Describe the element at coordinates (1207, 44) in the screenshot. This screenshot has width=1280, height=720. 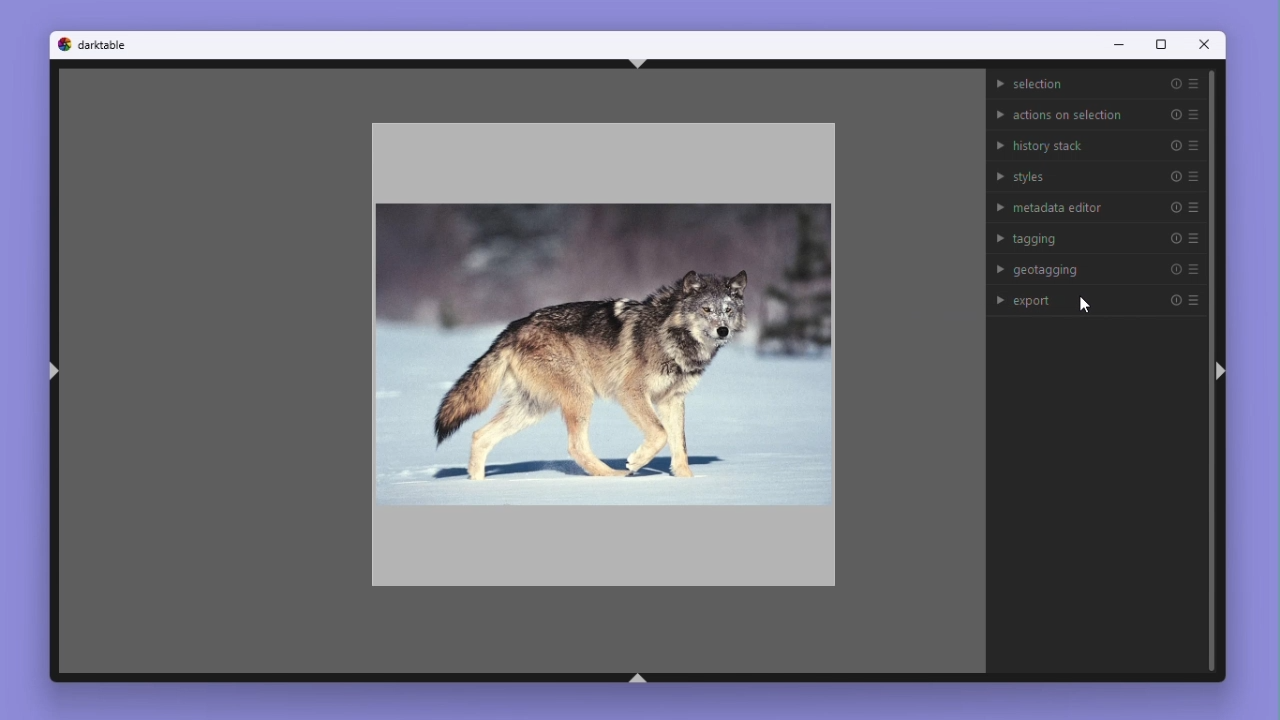
I see `Close` at that location.